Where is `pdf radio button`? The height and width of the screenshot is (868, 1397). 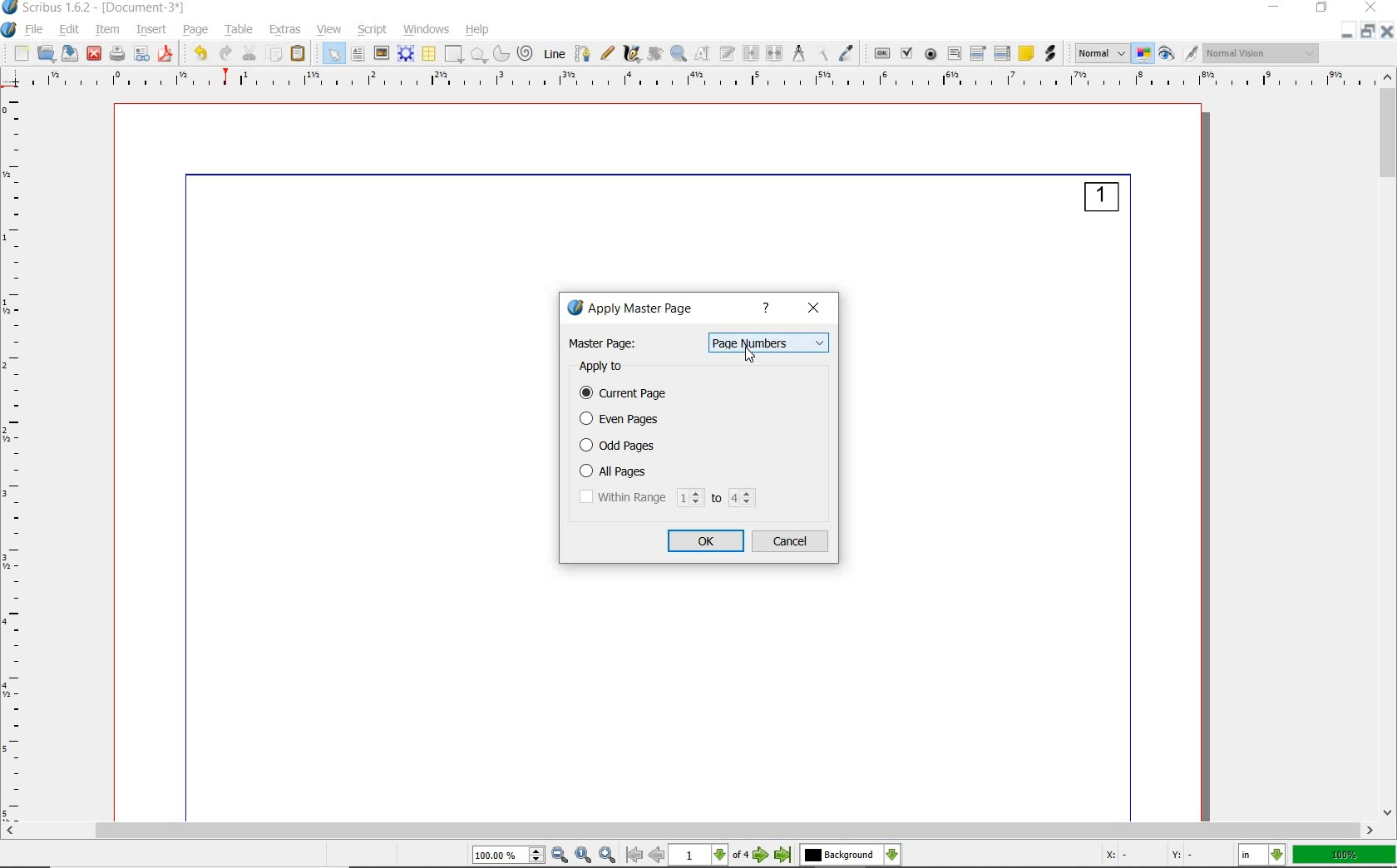 pdf radio button is located at coordinates (931, 55).